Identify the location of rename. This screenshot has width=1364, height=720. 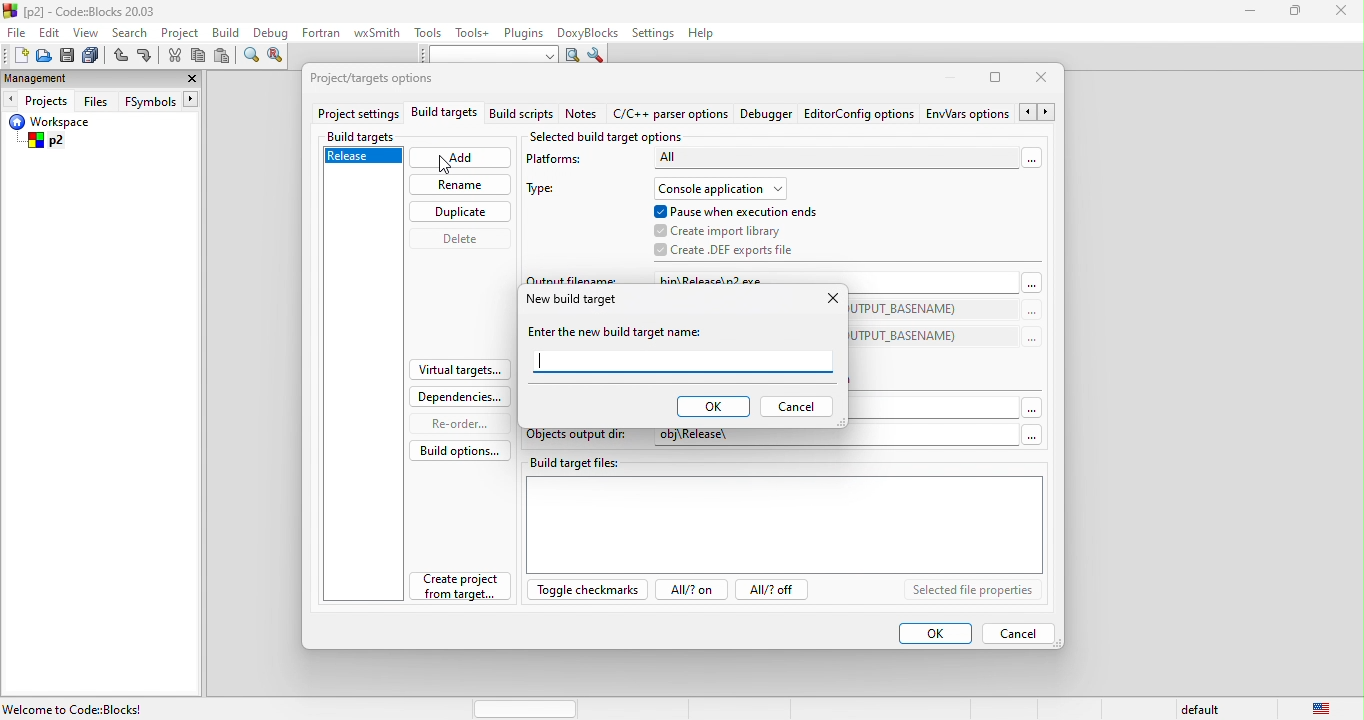
(460, 187).